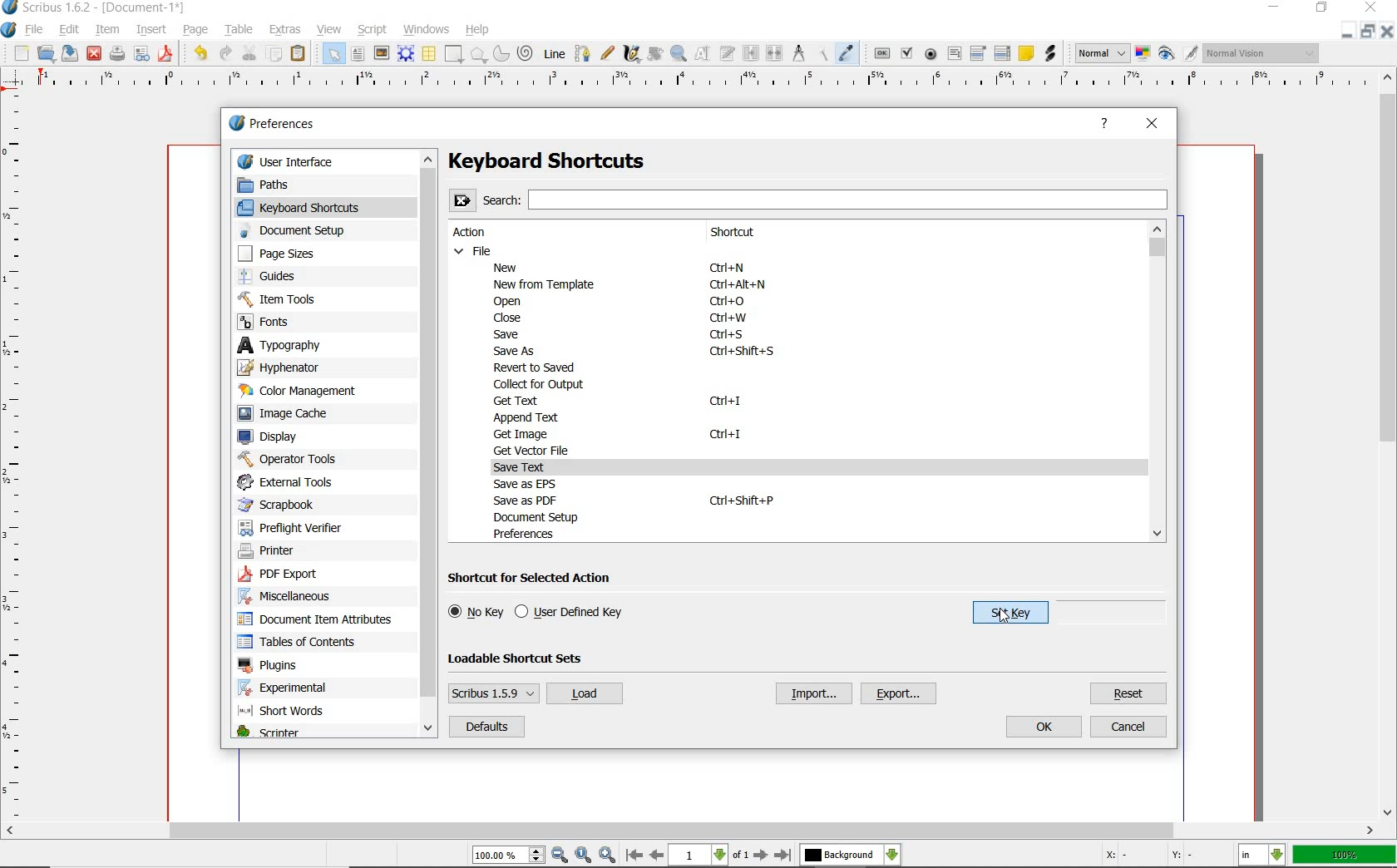 The height and width of the screenshot is (868, 1397). Describe the element at coordinates (21, 54) in the screenshot. I see `new` at that location.